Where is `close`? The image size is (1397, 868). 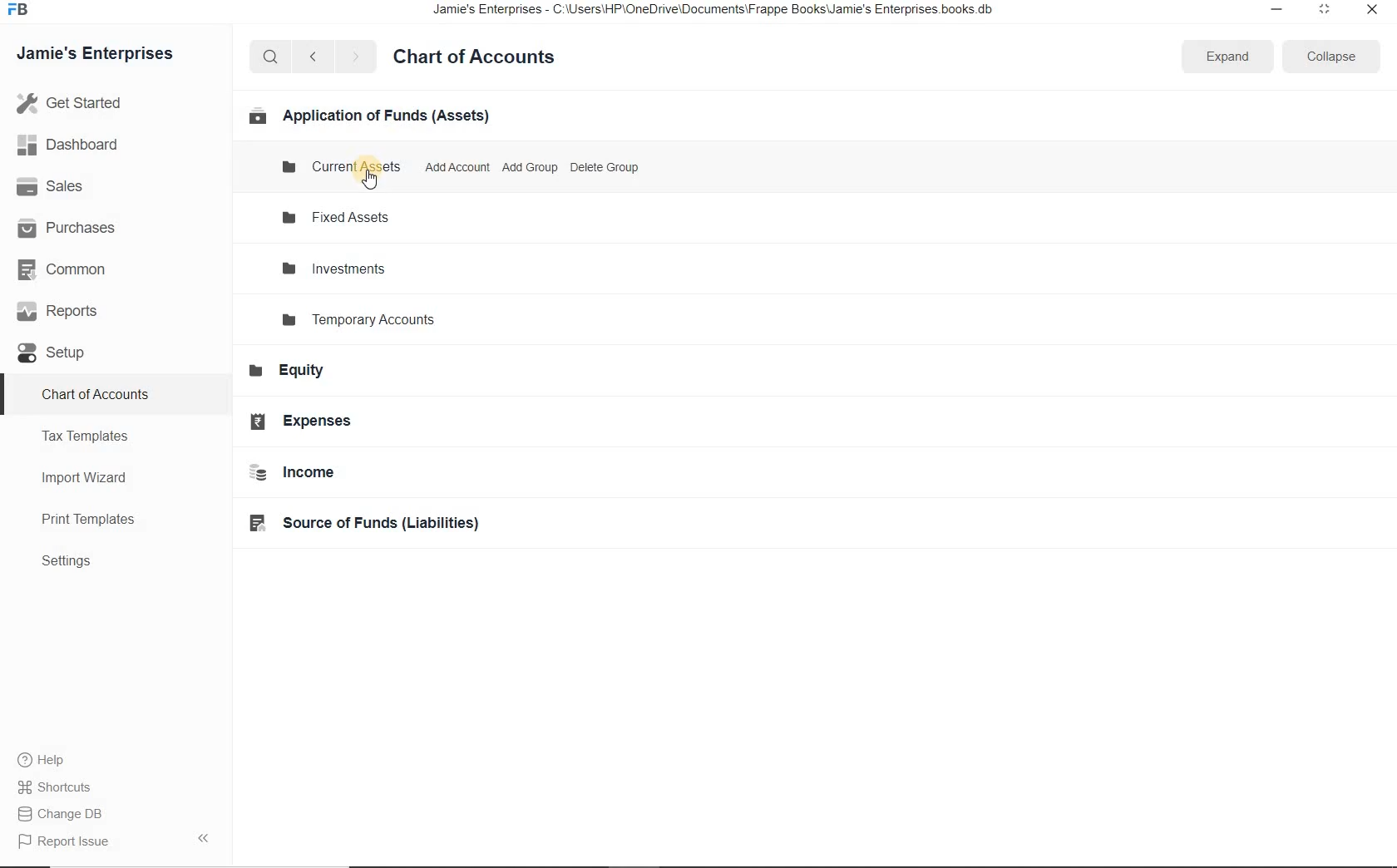
close is located at coordinates (1373, 11).